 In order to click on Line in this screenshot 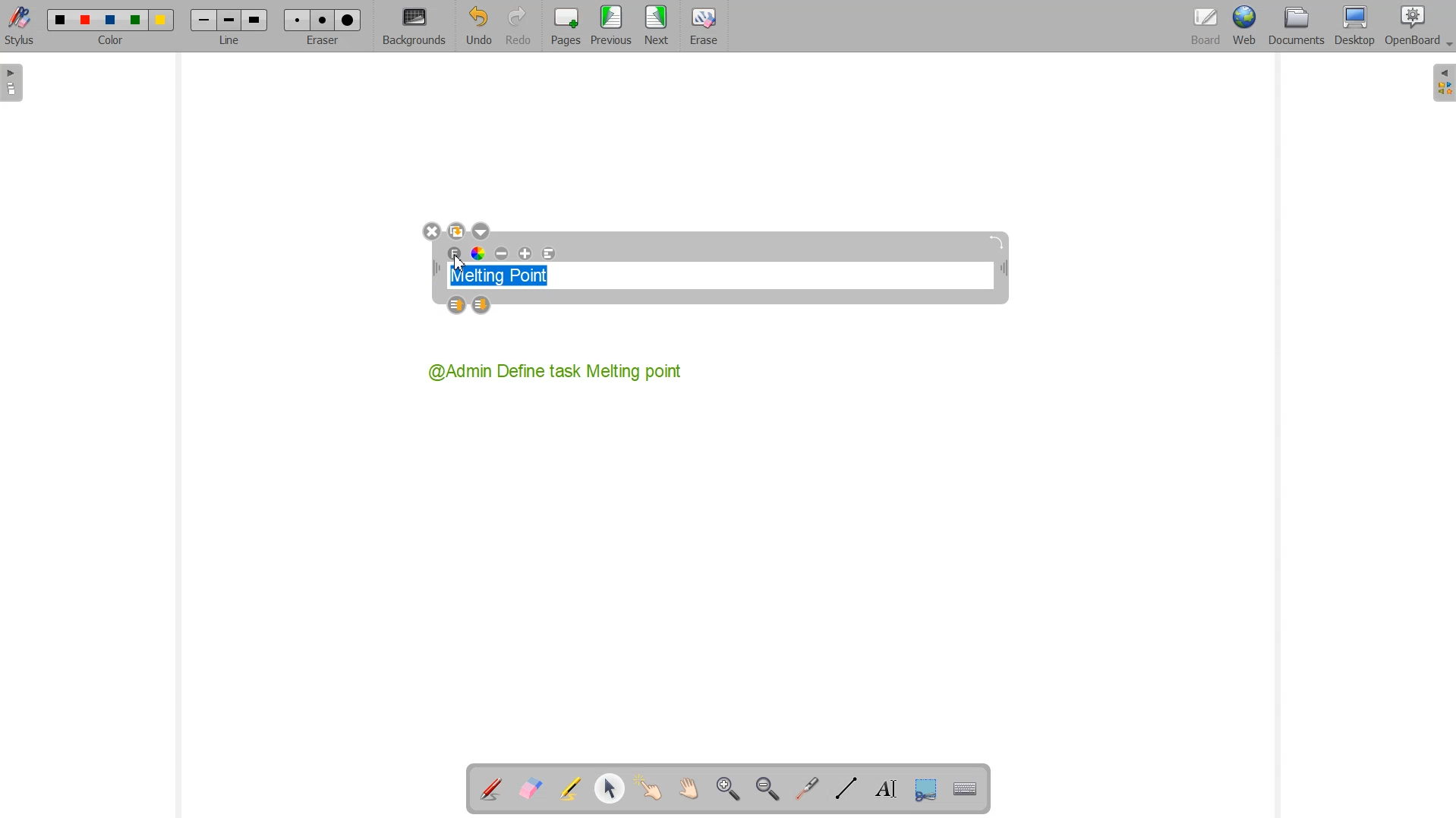, I will do `click(228, 27)`.